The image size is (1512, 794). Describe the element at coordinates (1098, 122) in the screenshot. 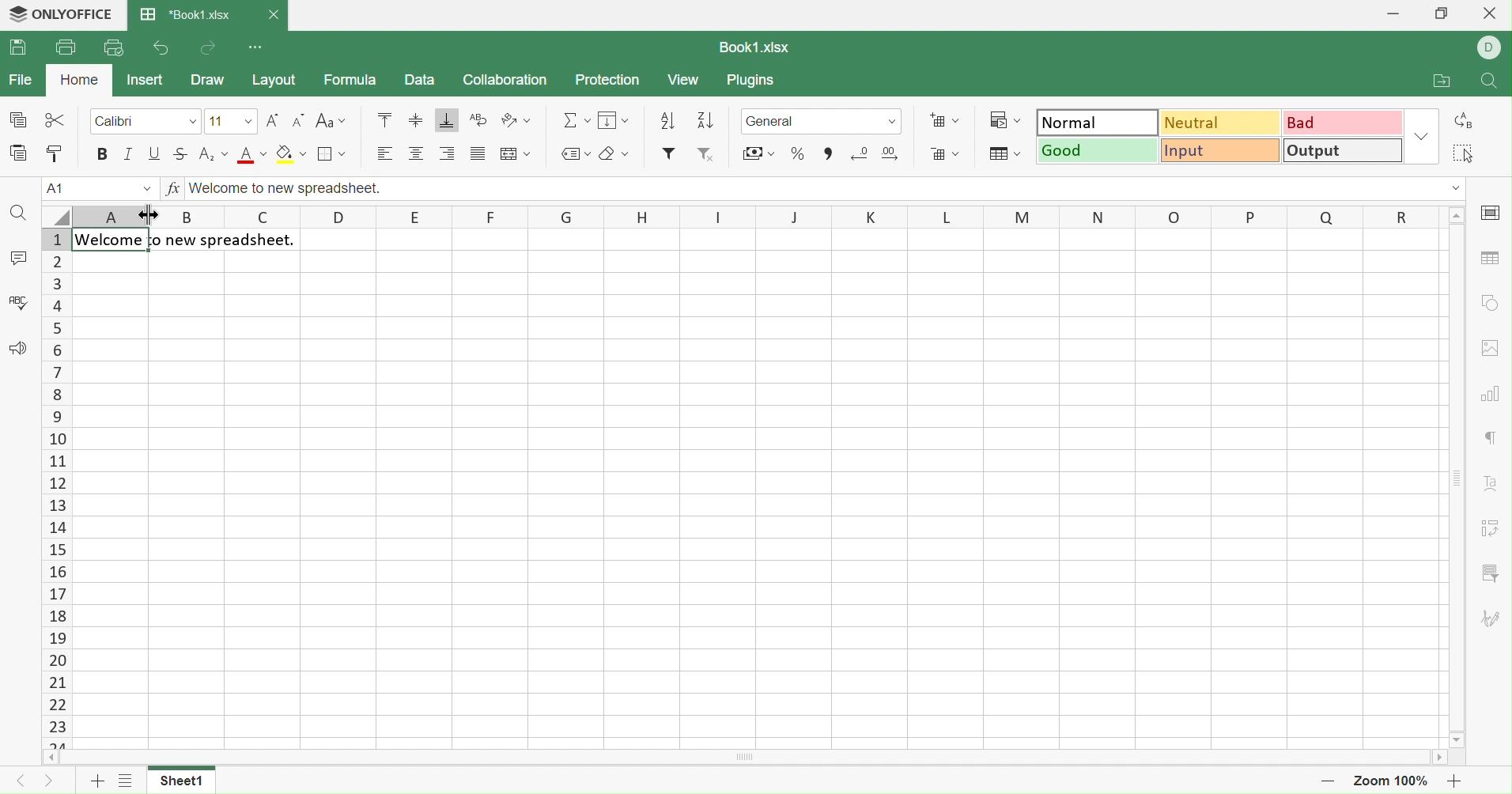

I see `Normal` at that location.